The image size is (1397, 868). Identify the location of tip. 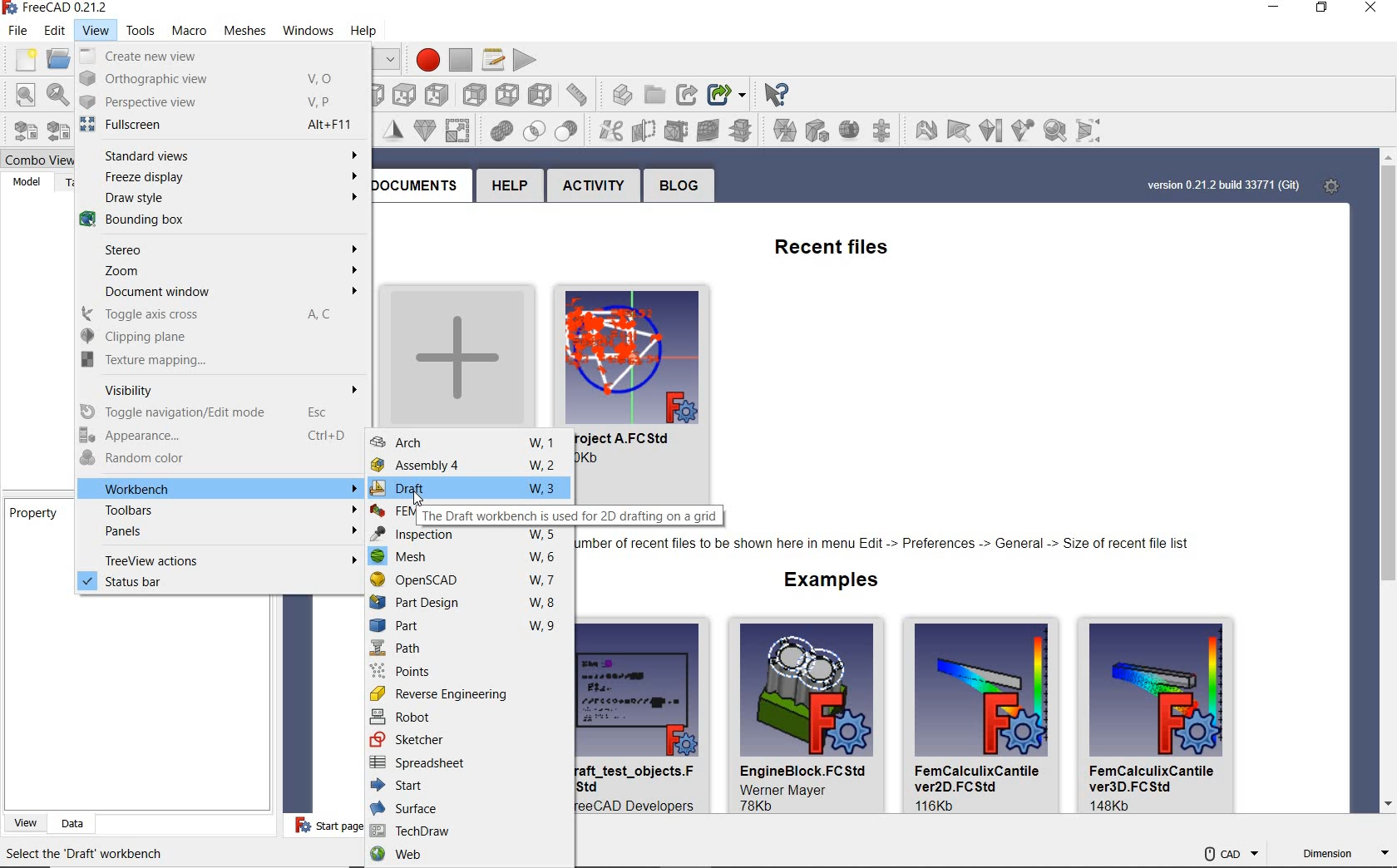
(887, 545).